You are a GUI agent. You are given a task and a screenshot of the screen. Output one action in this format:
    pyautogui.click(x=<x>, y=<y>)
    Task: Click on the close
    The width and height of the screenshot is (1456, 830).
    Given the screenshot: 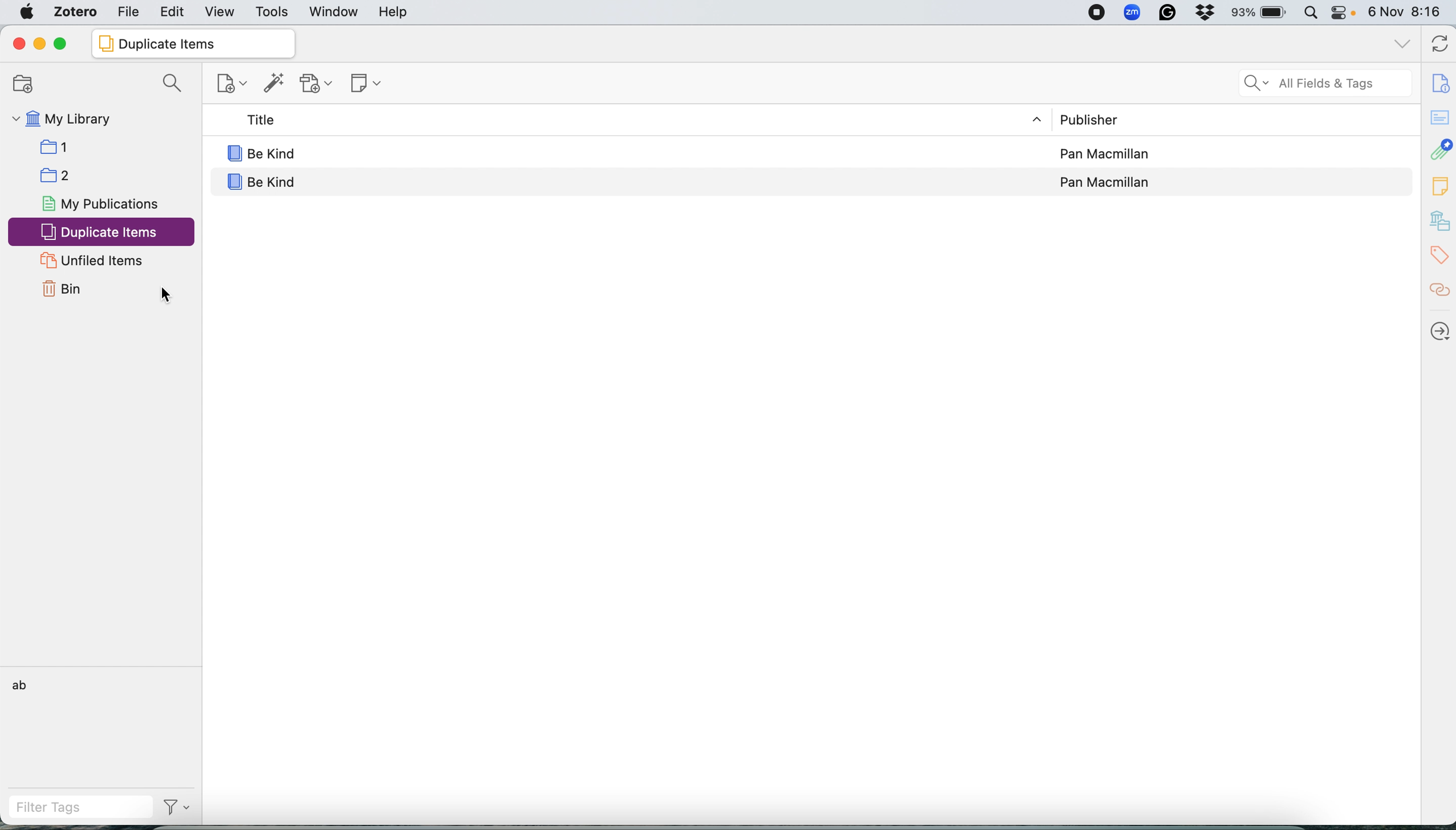 What is the action you would take?
    pyautogui.click(x=19, y=42)
    